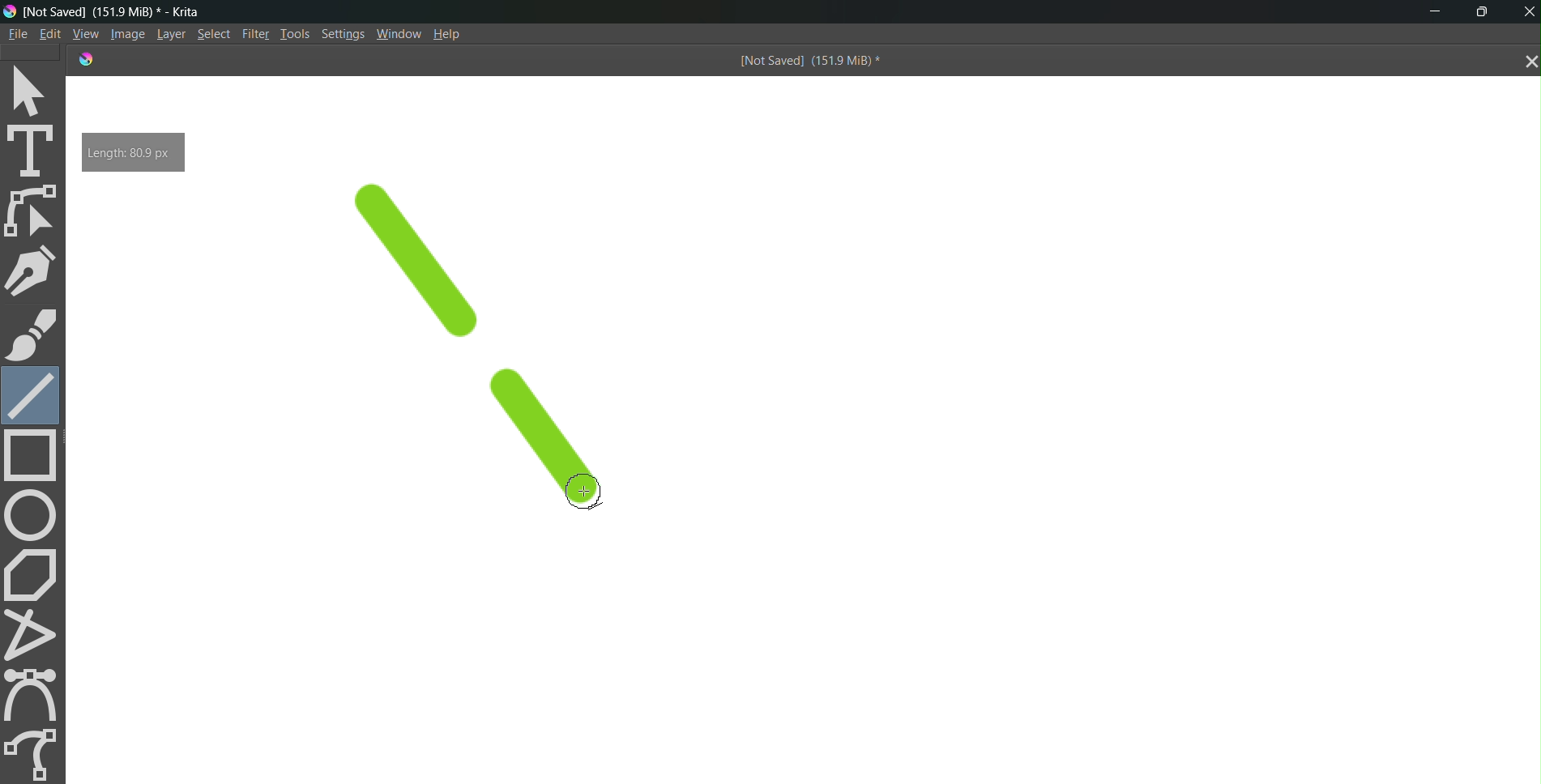 This screenshot has width=1541, height=784. What do you see at coordinates (214, 35) in the screenshot?
I see `Select` at bounding box center [214, 35].